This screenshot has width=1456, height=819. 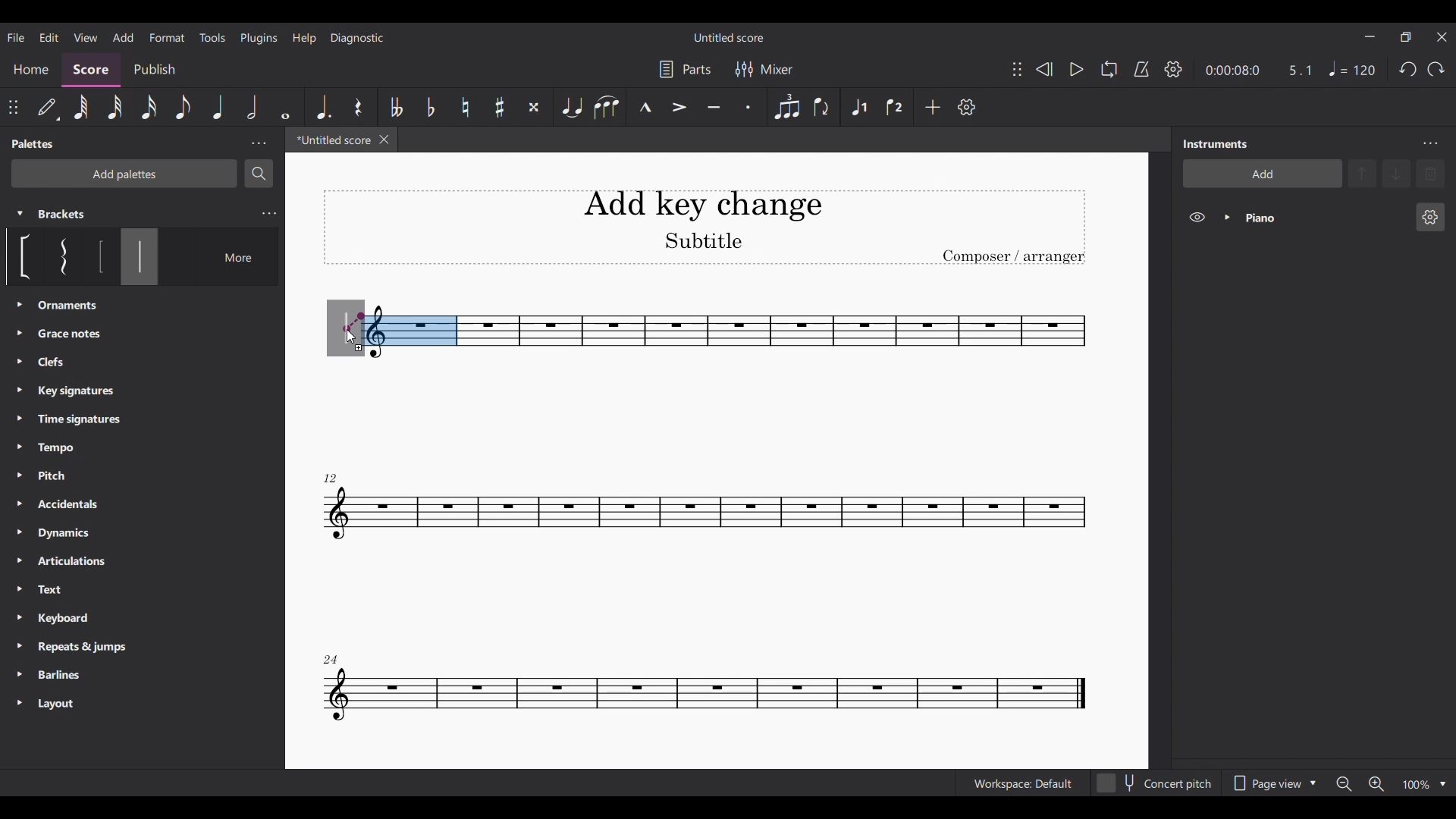 What do you see at coordinates (1408, 69) in the screenshot?
I see `Undo` at bounding box center [1408, 69].